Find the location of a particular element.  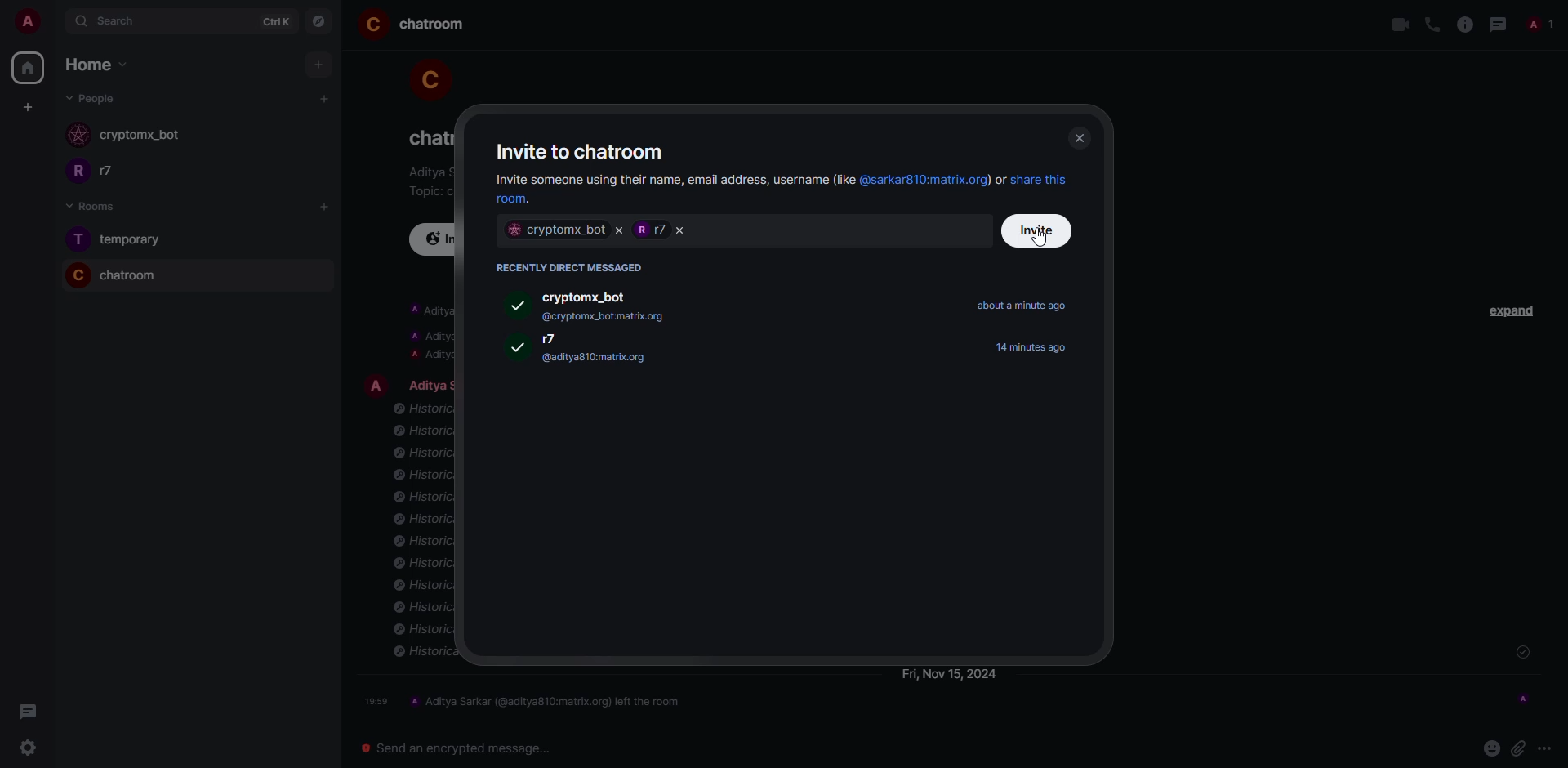

room is located at coordinates (434, 25).